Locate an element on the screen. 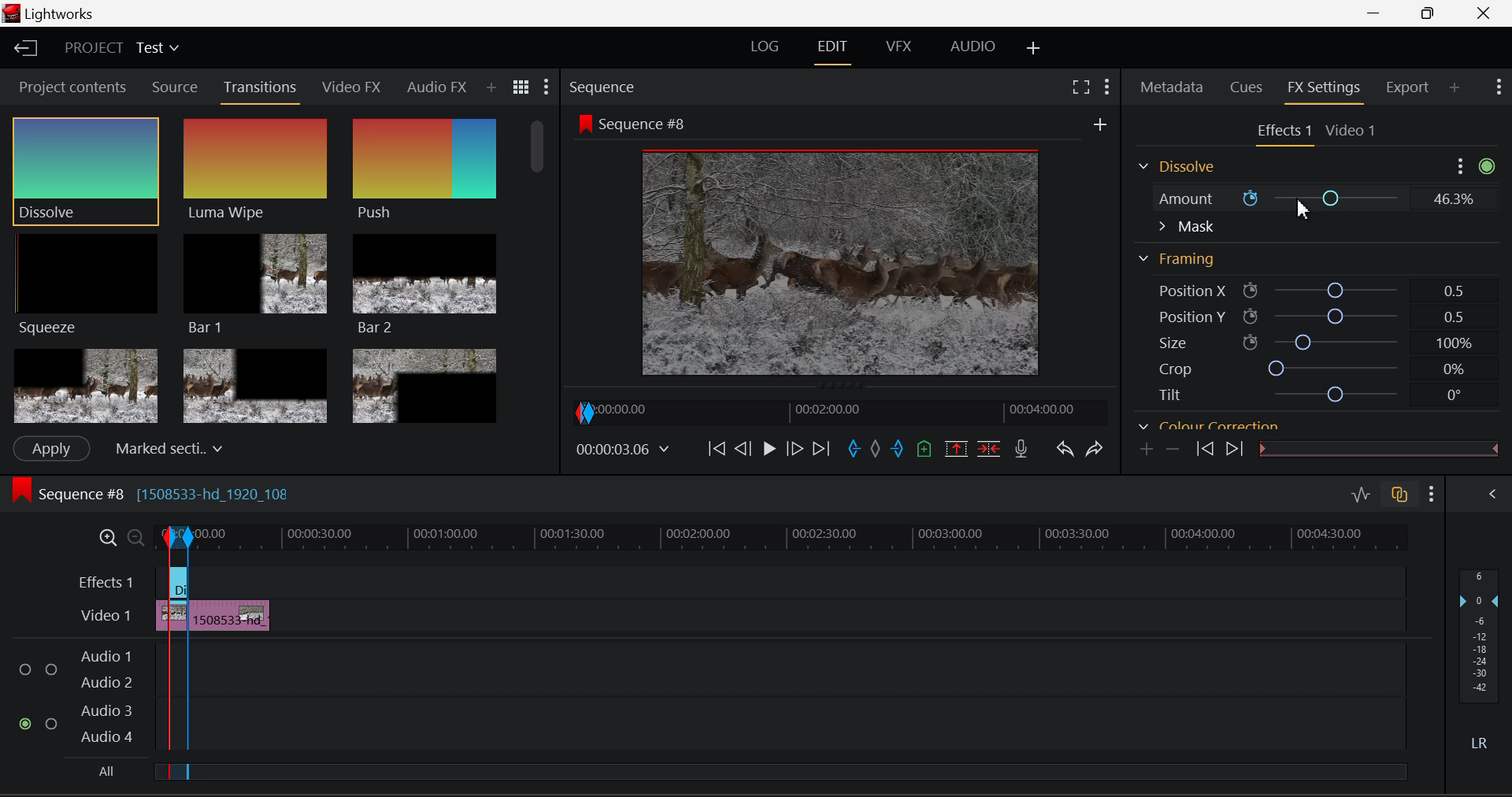  Cursor MOUSE_DOWN on Amount is located at coordinates (1312, 198).